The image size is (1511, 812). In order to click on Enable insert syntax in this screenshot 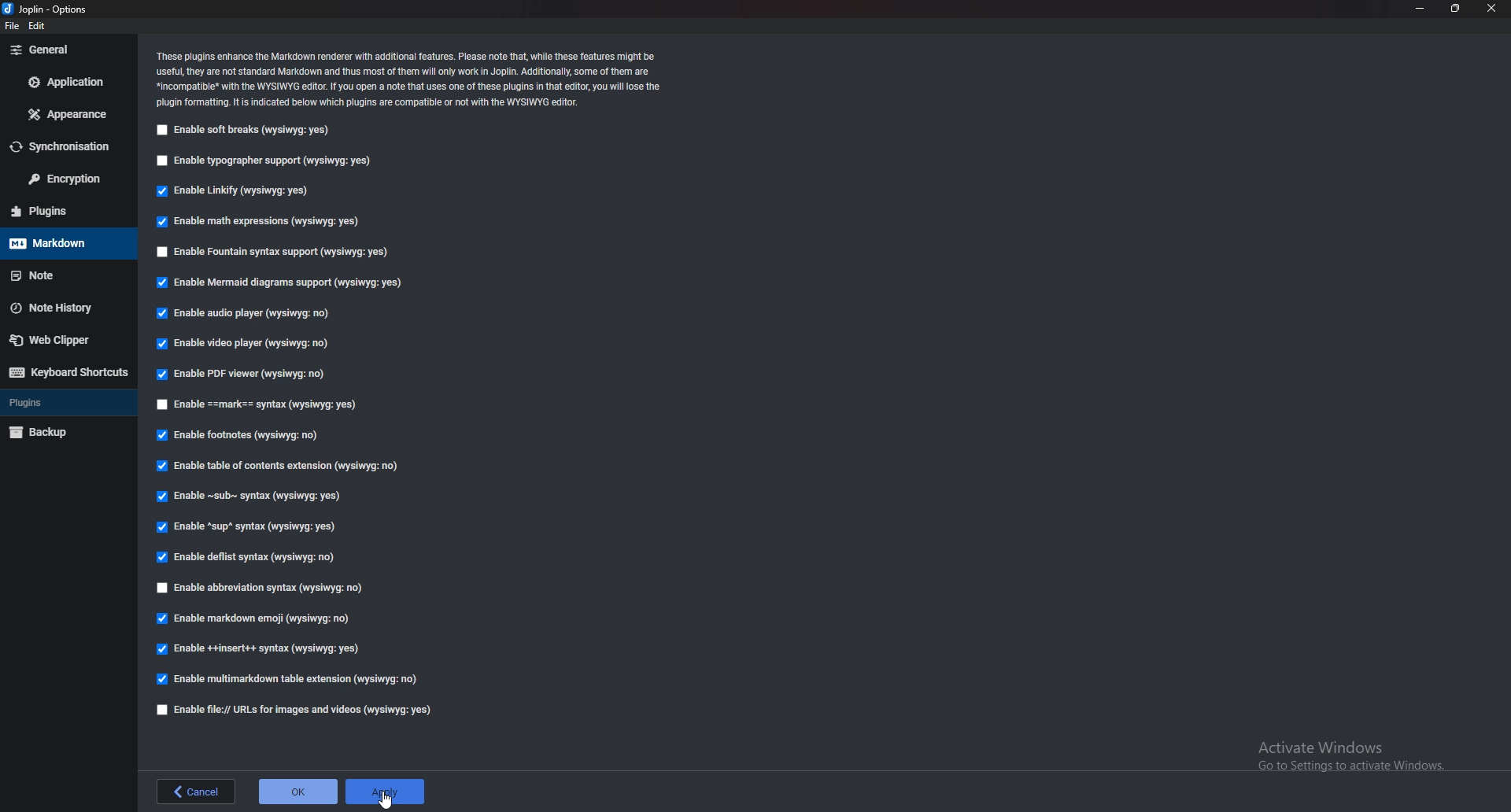, I will do `click(260, 648)`.